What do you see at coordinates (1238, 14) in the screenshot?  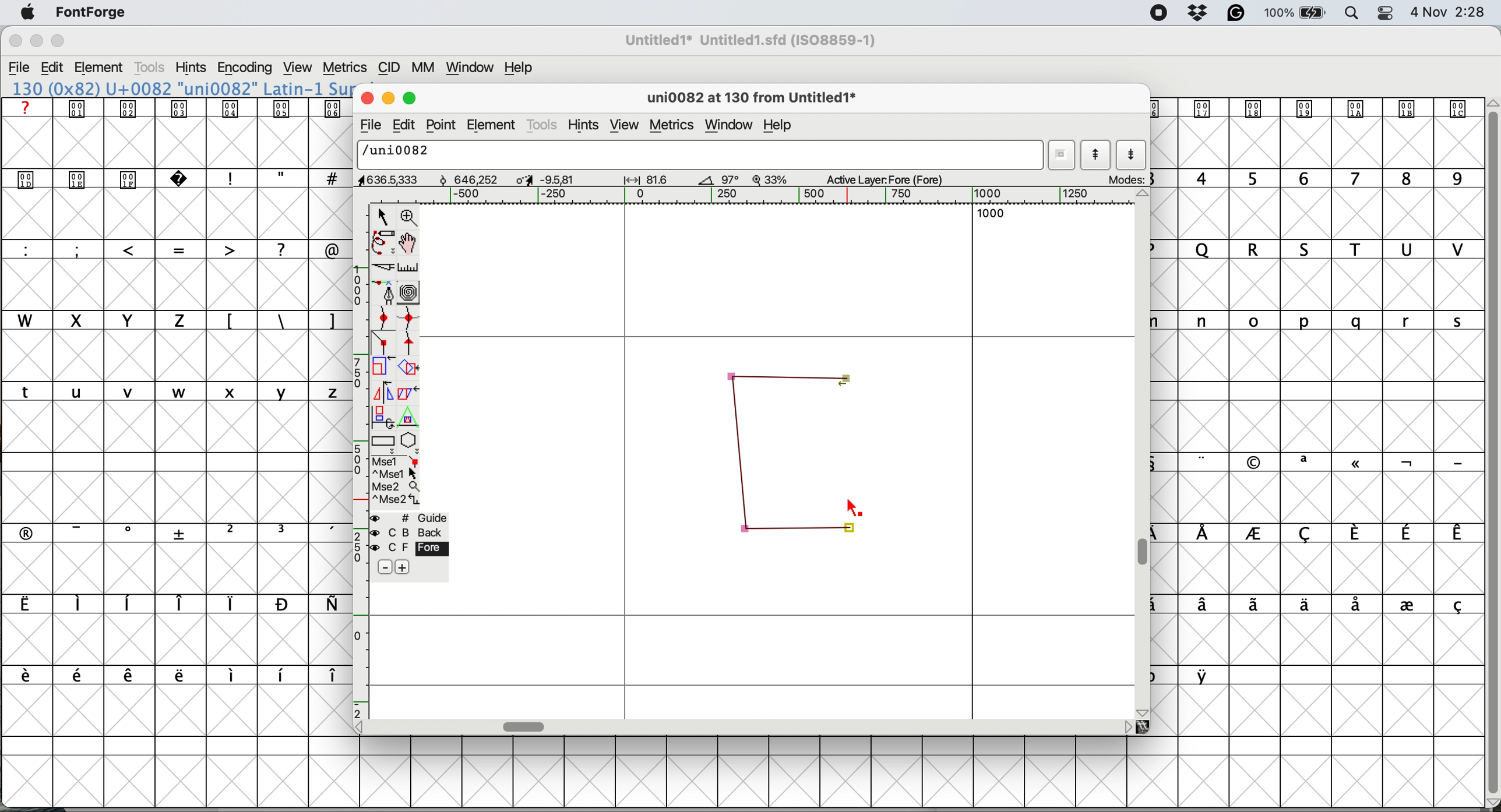 I see `grammarly` at bounding box center [1238, 14].